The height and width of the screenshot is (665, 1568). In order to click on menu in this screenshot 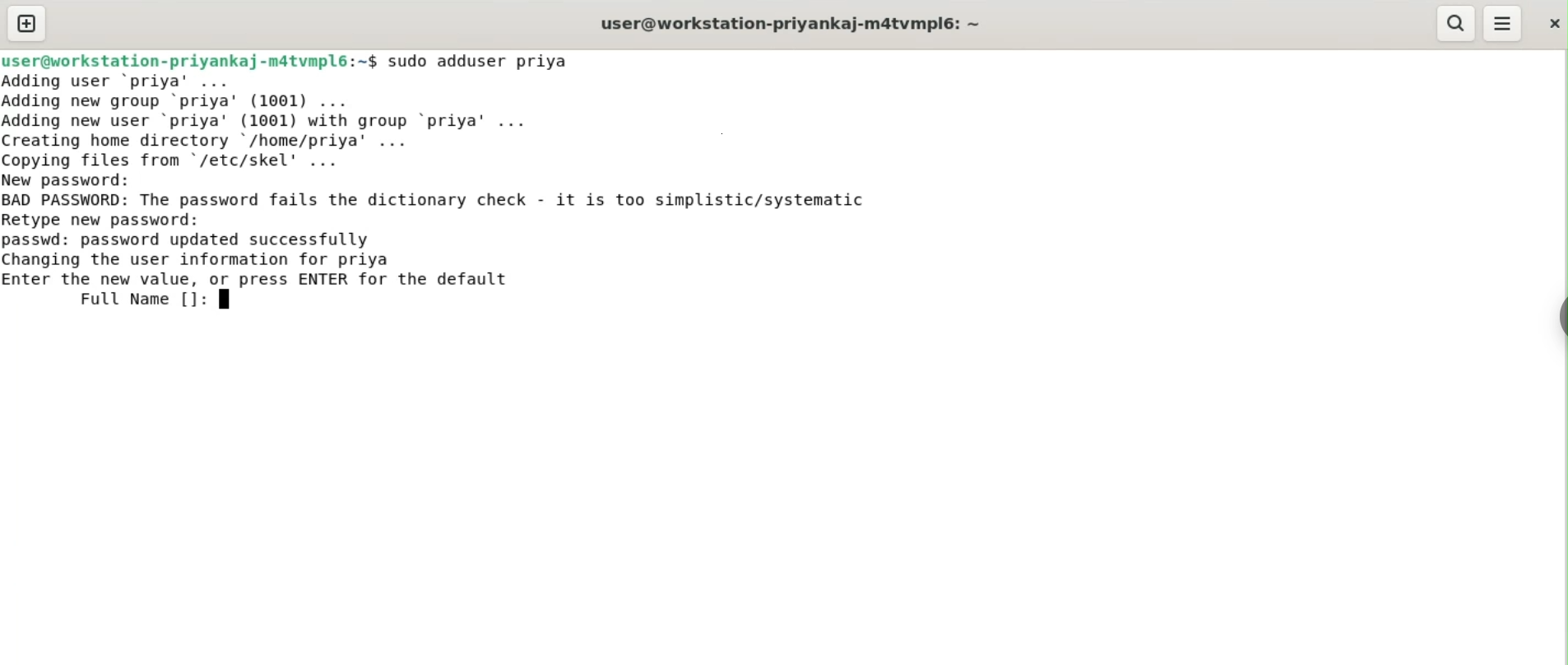, I will do `click(1504, 24)`.